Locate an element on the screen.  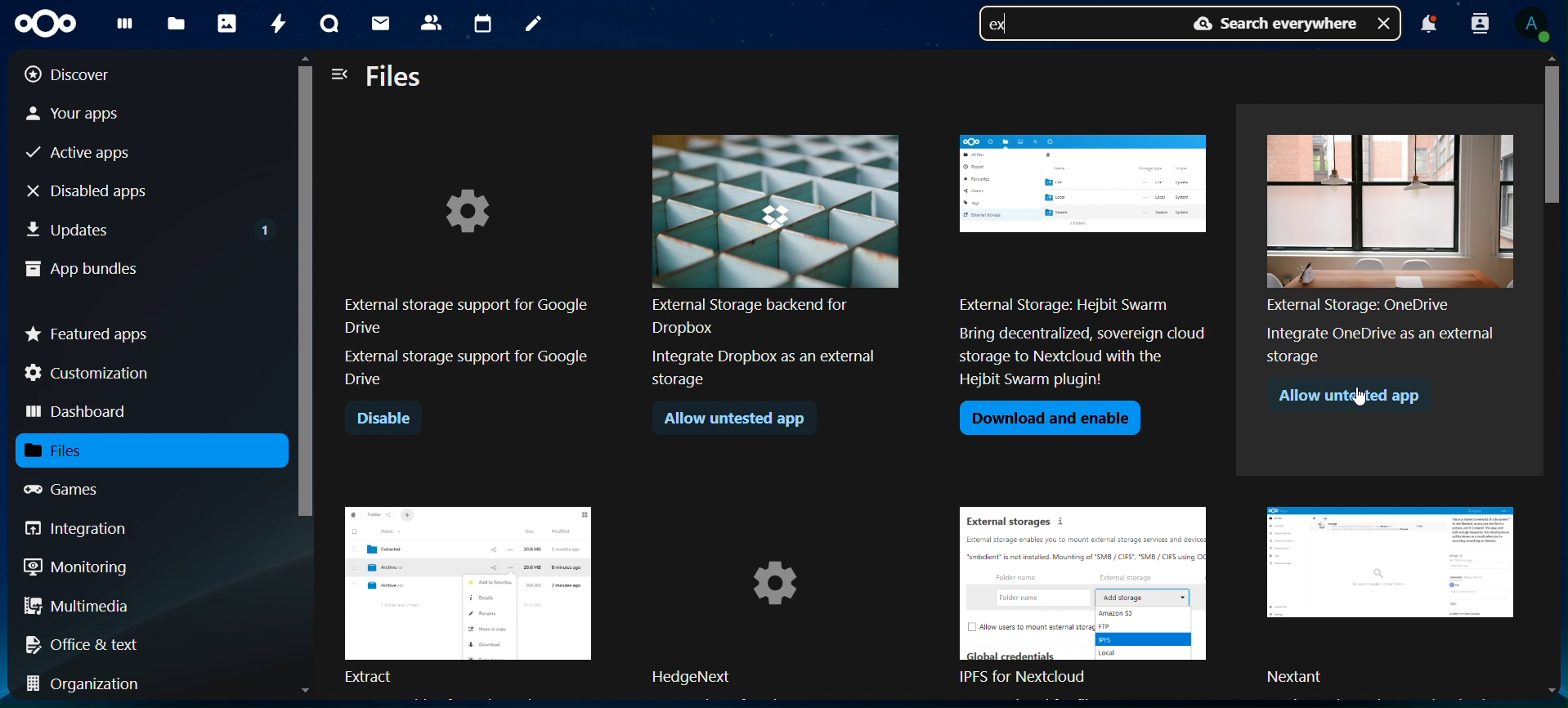
discover is located at coordinates (80, 74).